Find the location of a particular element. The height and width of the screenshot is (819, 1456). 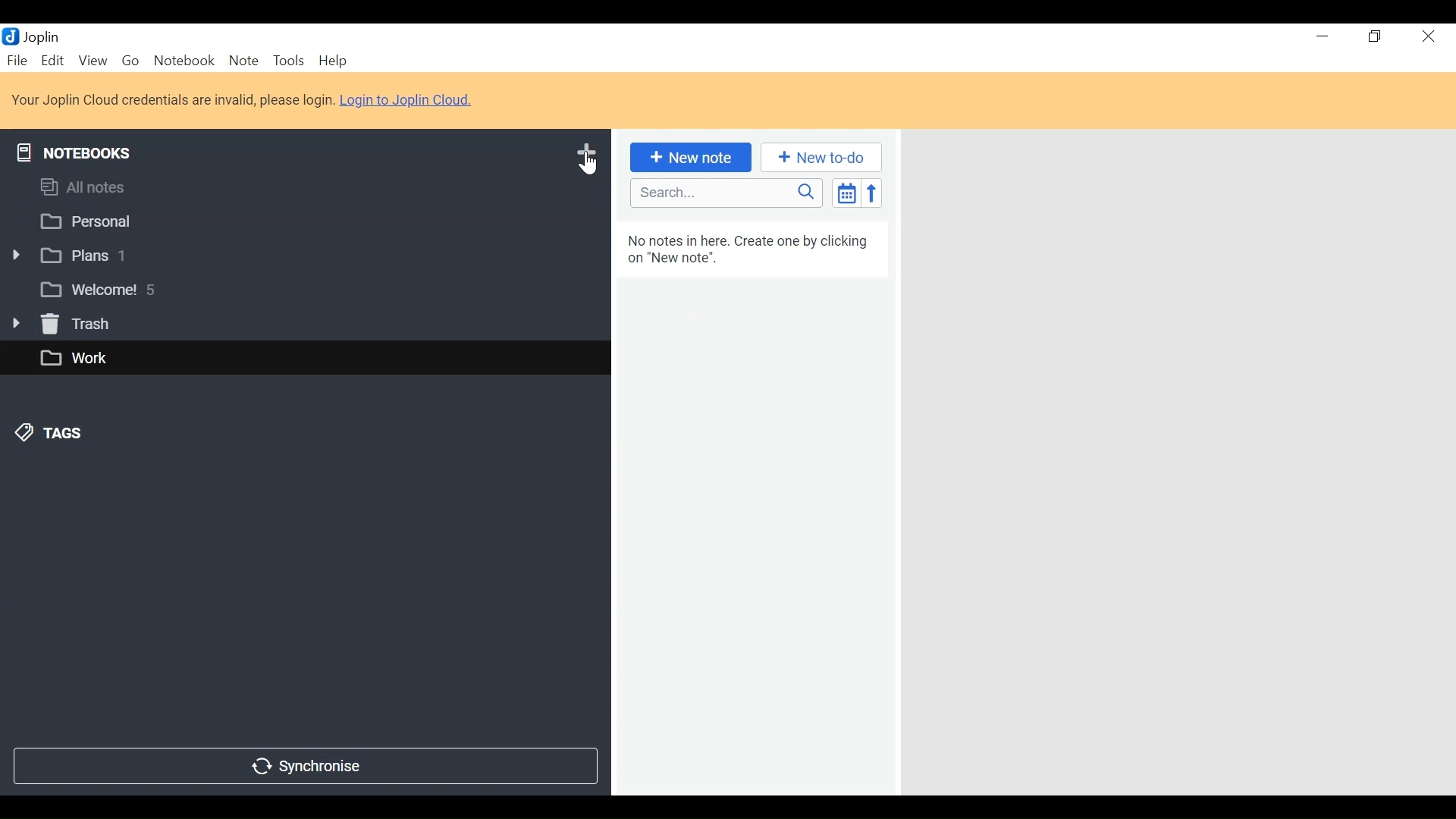

View is located at coordinates (92, 60).